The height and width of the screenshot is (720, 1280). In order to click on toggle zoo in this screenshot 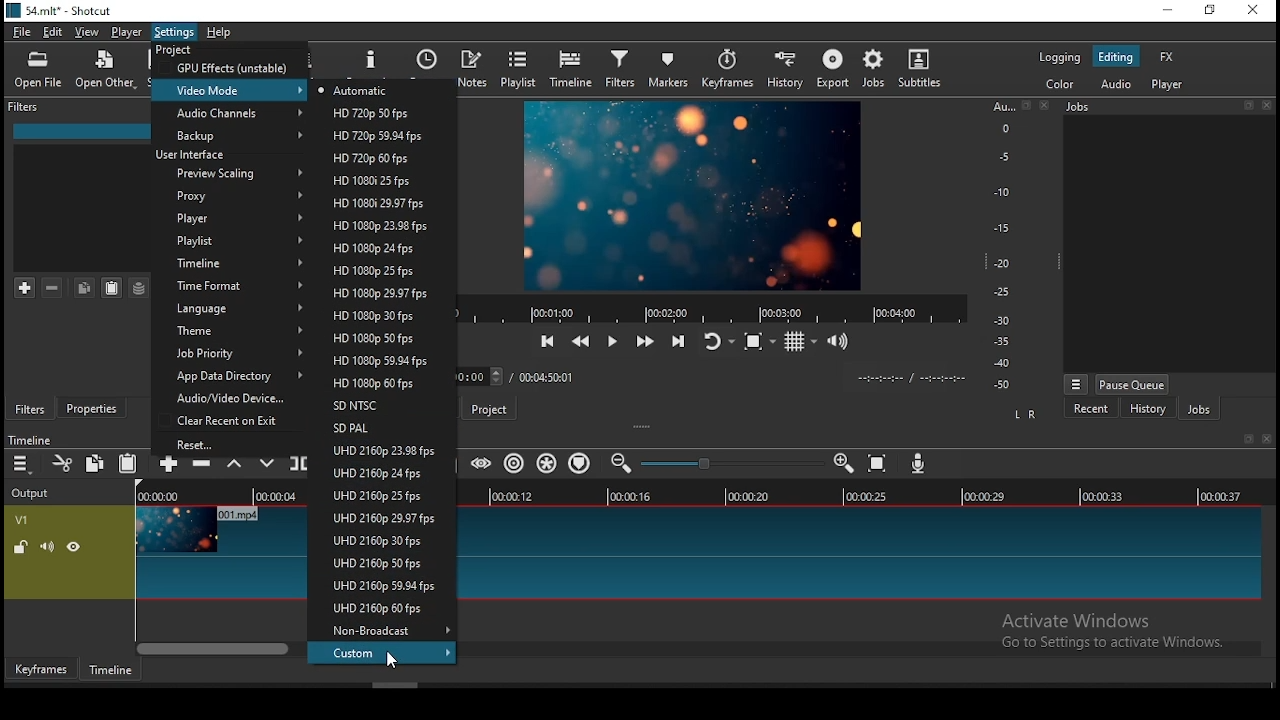, I will do `click(759, 340)`.